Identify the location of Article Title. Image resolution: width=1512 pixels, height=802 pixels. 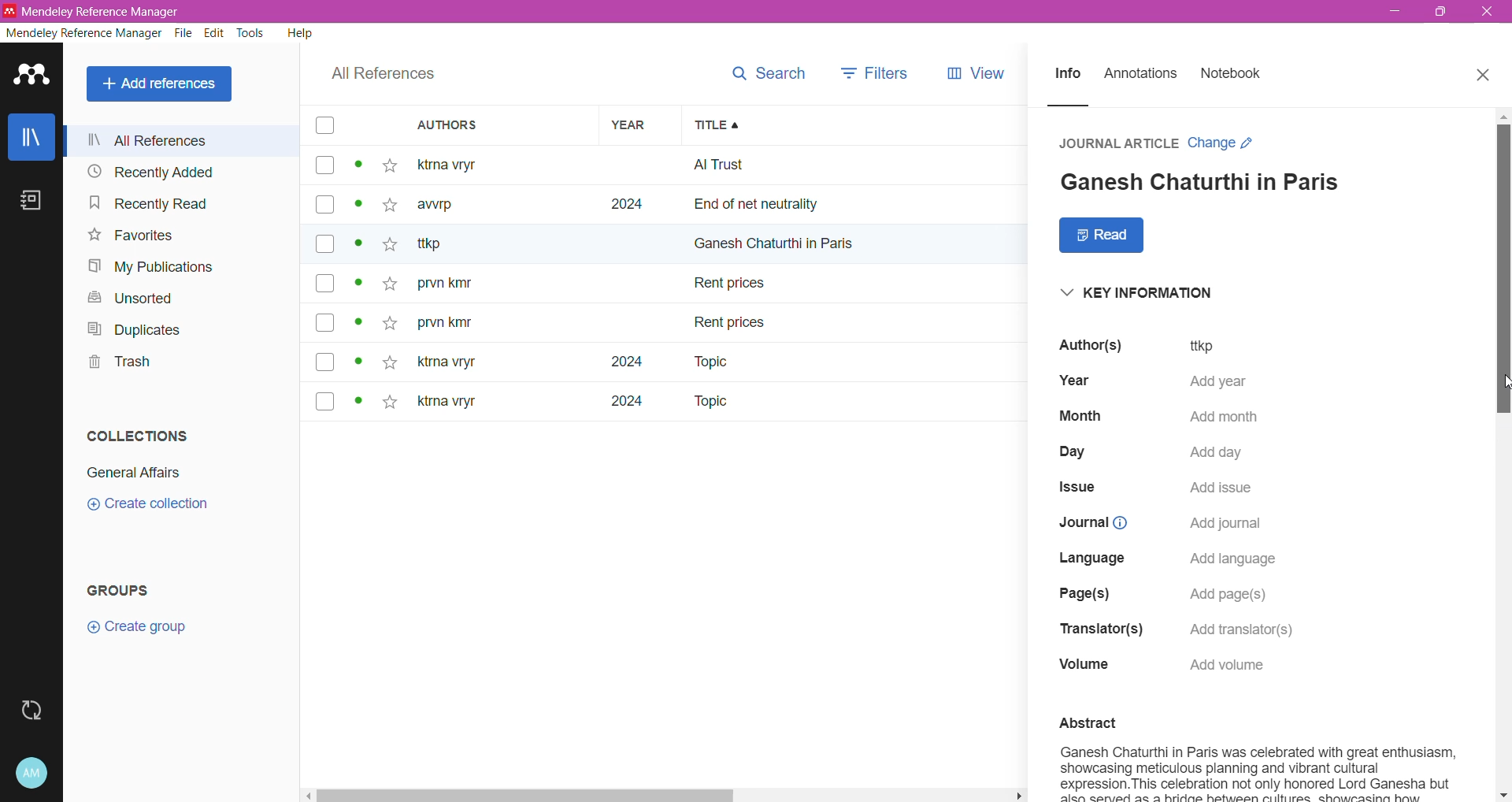
(1203, 180).